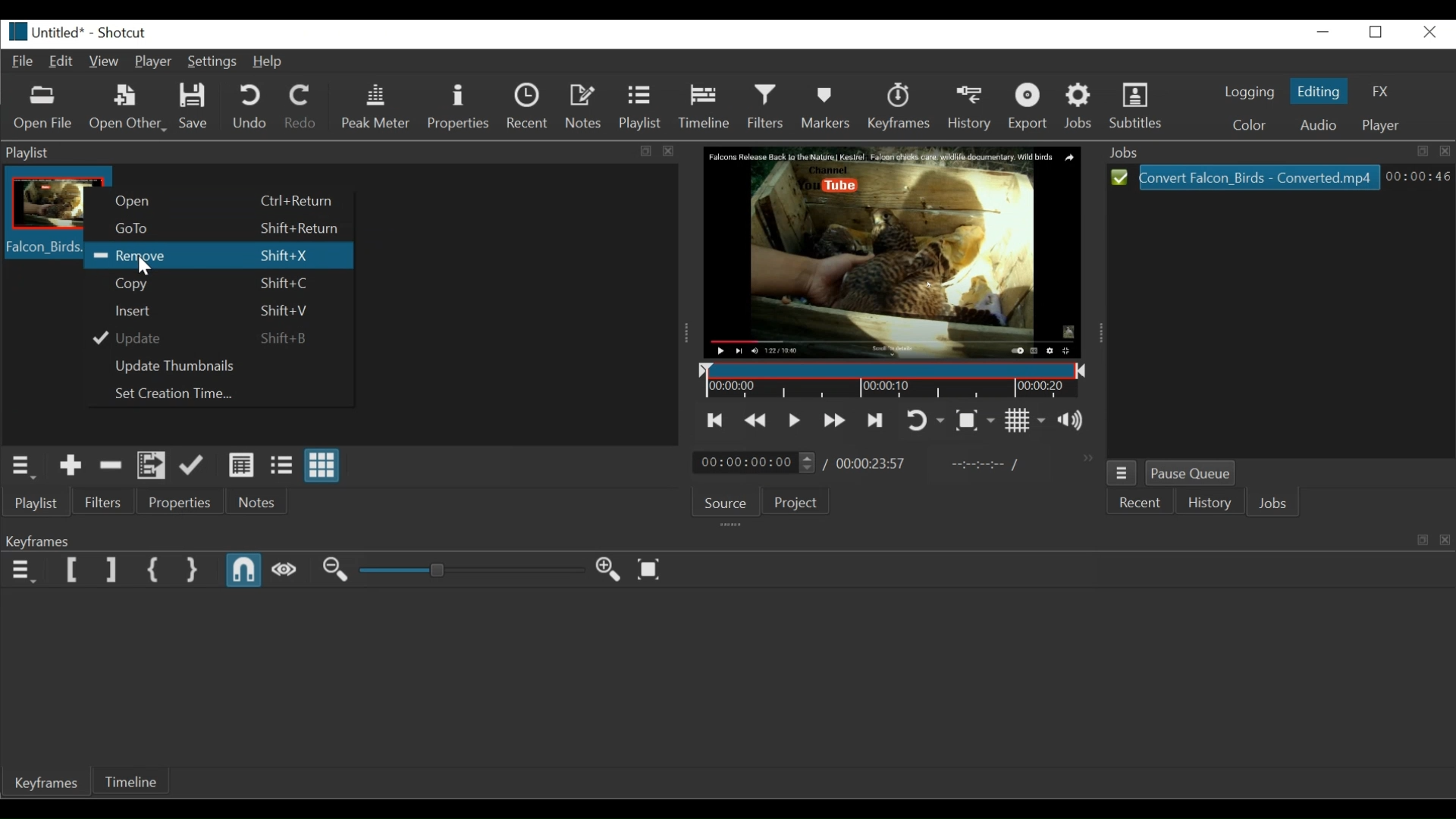 The width and height of the screenshot is (1456, 819). Describe the element at coordinates (216, 393) in the screenshot. I see `Set Creation Time` at that location.